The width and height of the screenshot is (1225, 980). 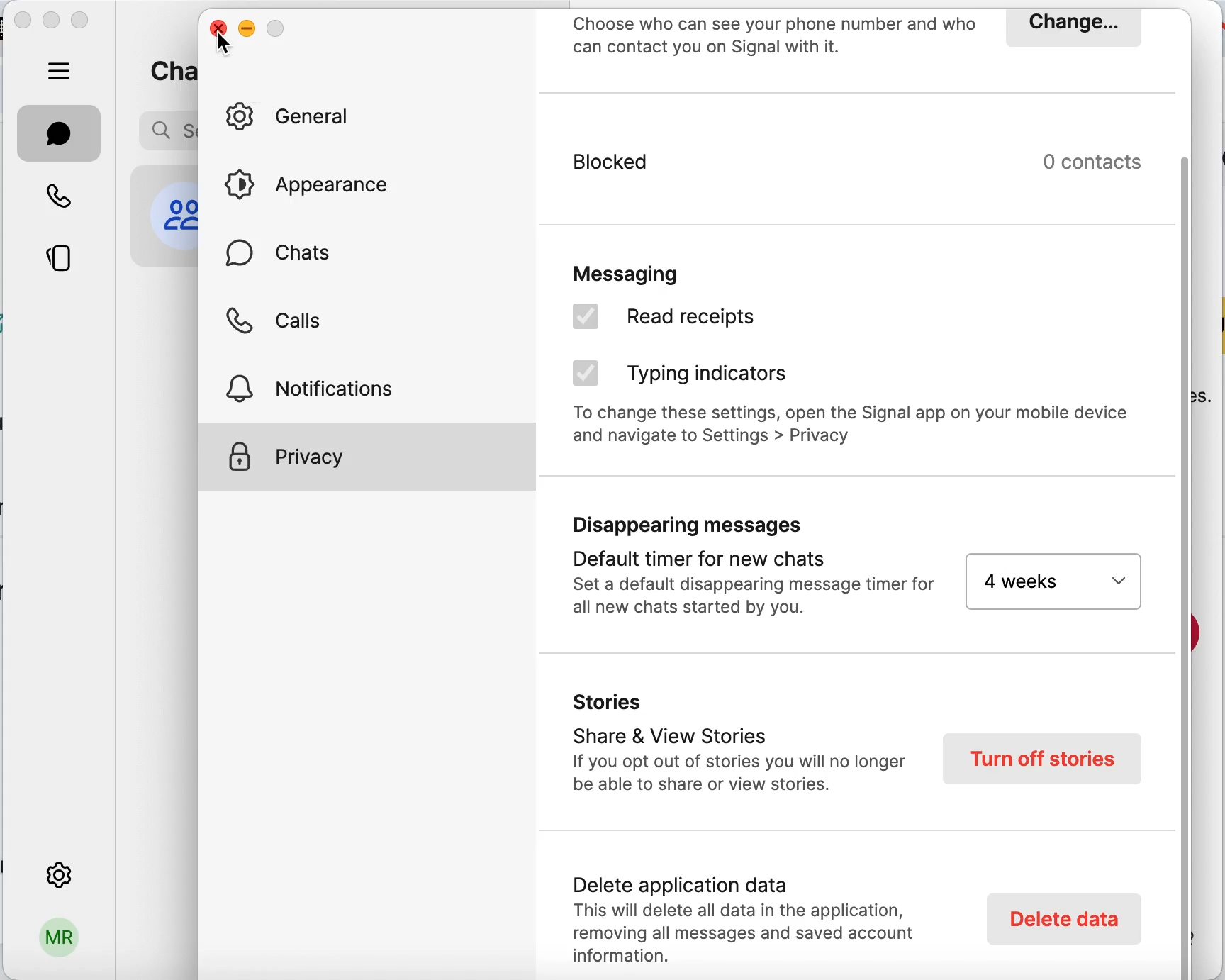 I want to click on blocked, so click(x=743, y=174).